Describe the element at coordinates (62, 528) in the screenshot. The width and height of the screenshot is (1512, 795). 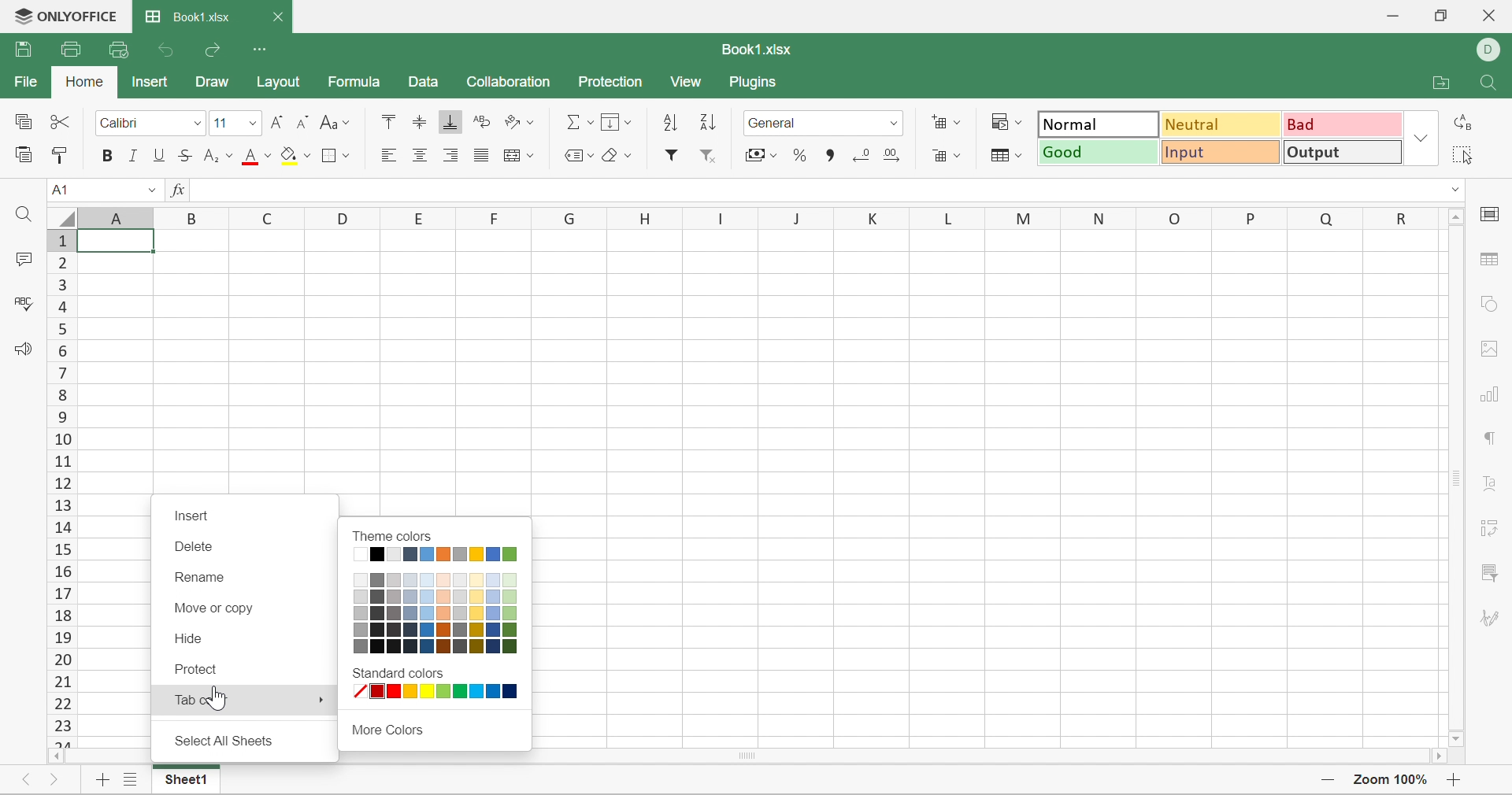
I see `14` at that location.